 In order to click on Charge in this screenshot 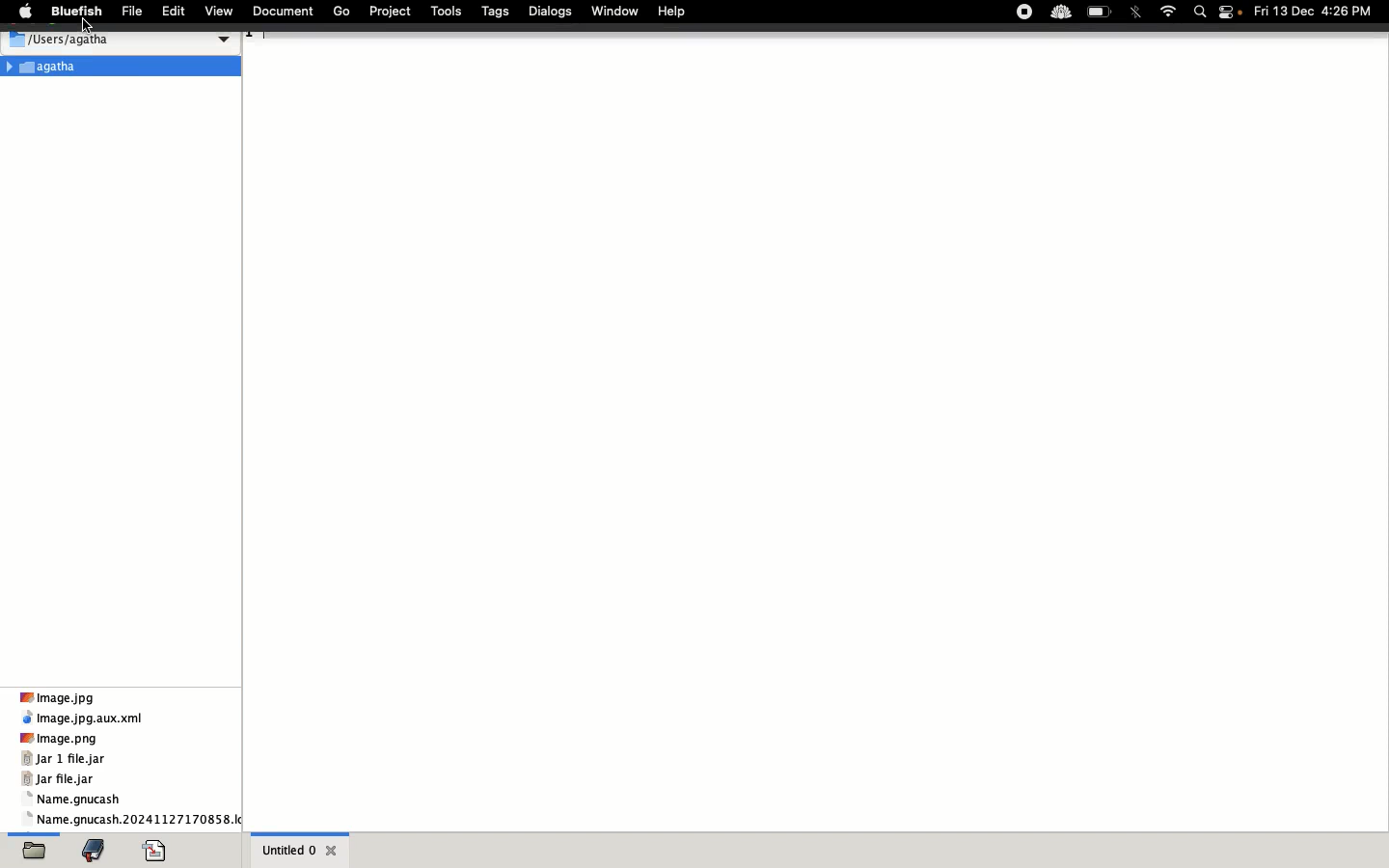, I will do `click(1101, 12)`.